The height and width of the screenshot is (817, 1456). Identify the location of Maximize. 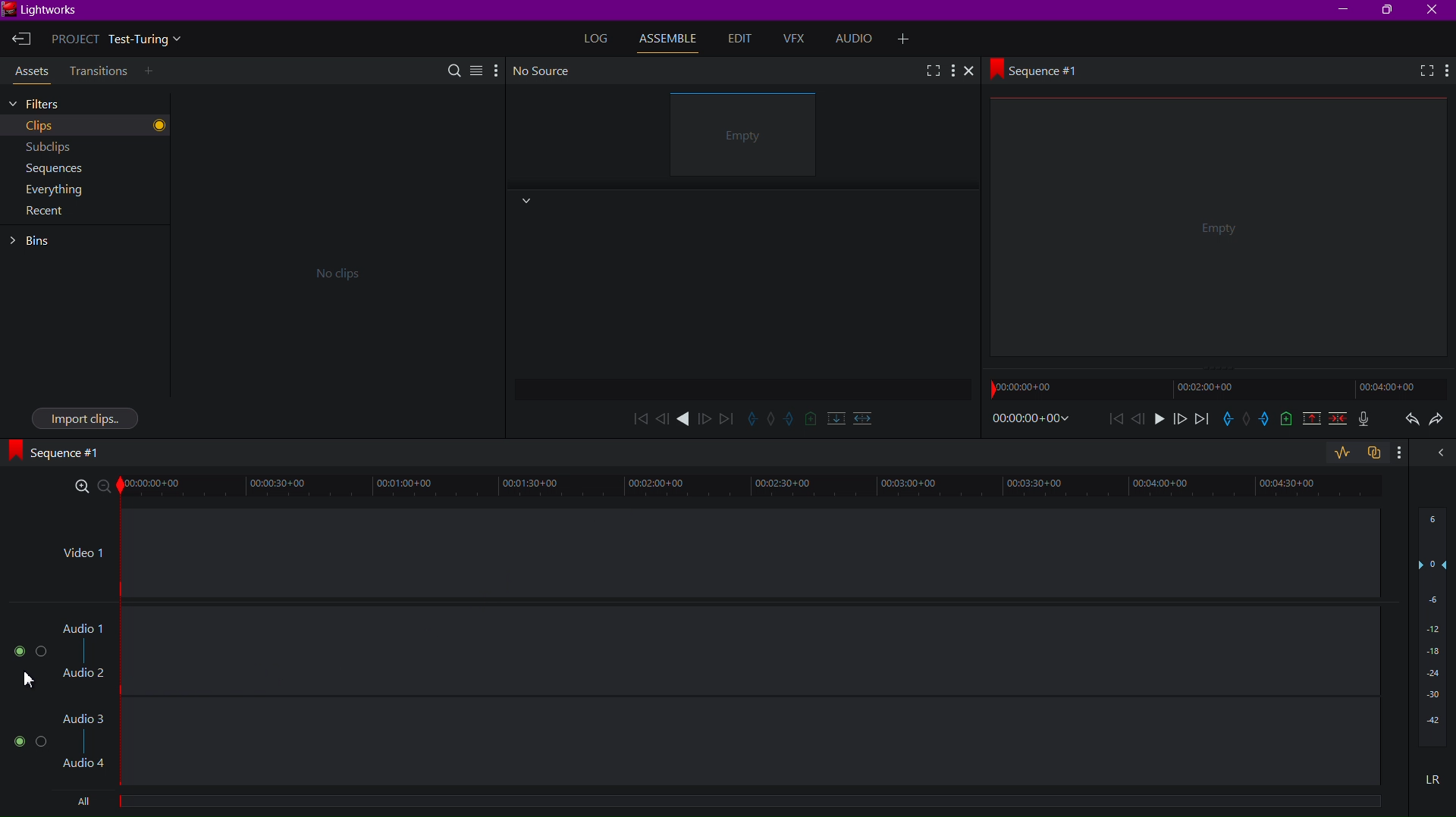
(1390, 11).